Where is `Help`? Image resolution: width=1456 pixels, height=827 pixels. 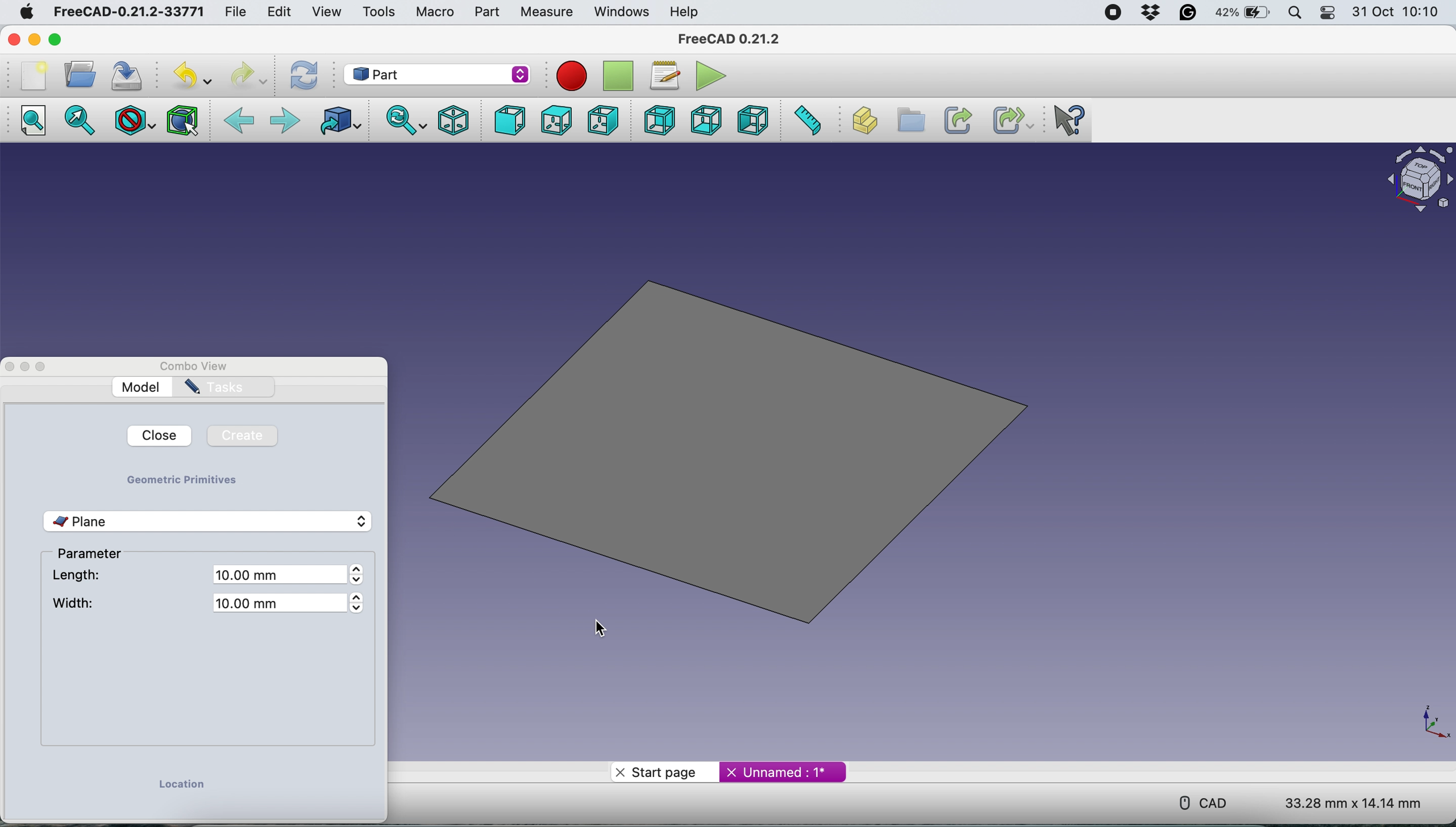
Help is located at coordinates (684, 12).